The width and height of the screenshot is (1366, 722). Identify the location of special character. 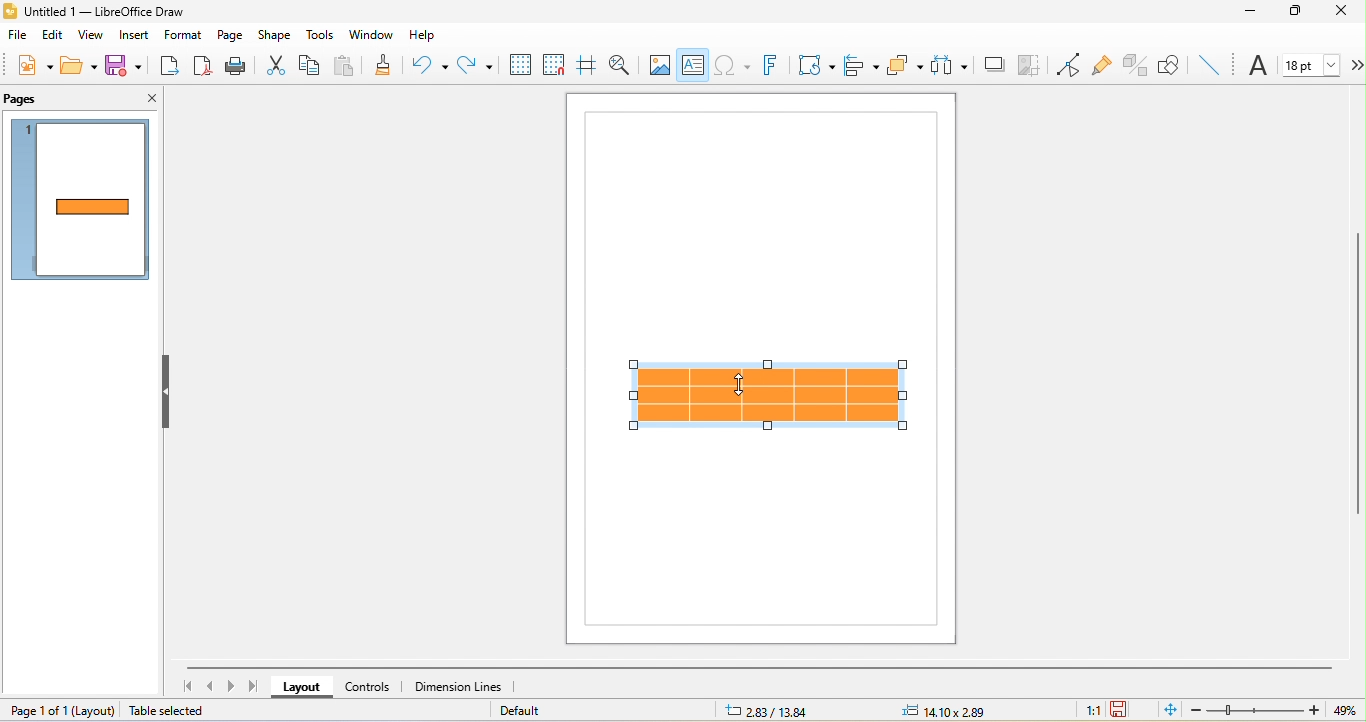
(732, 65).